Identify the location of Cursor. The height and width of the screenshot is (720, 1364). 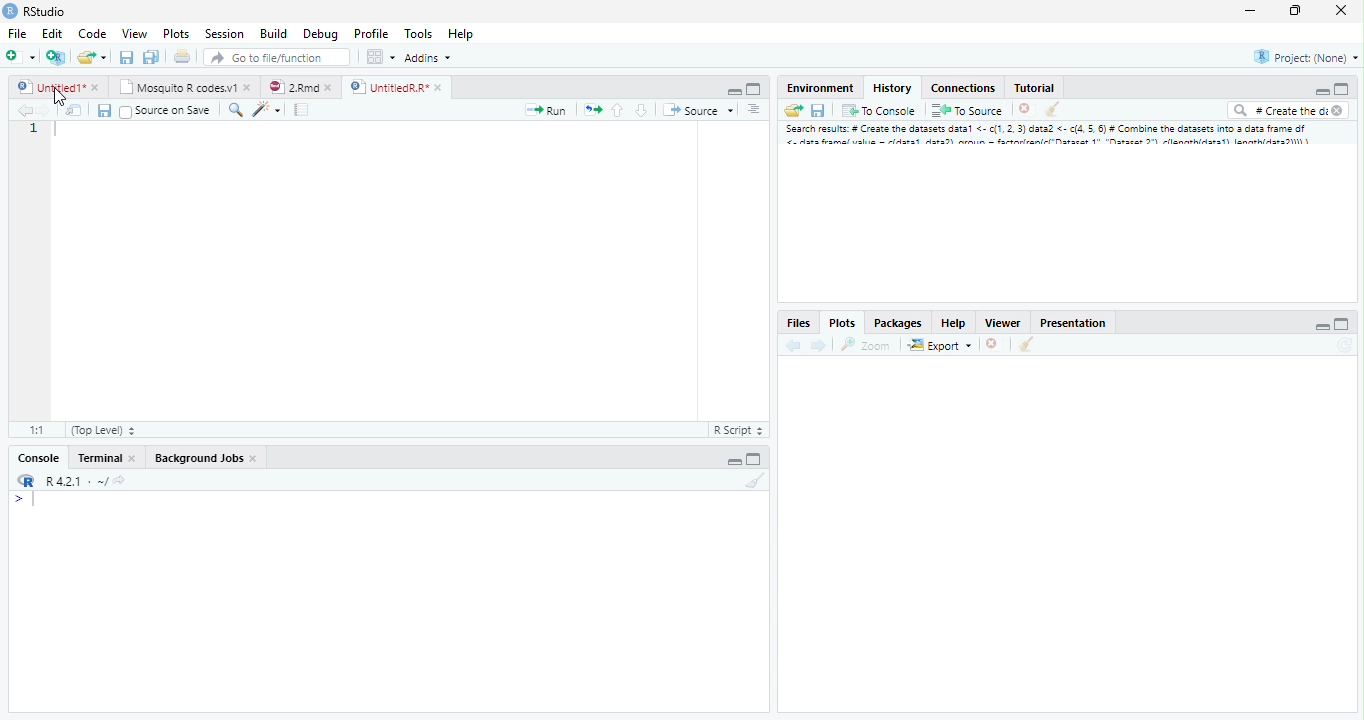
(59, 95).